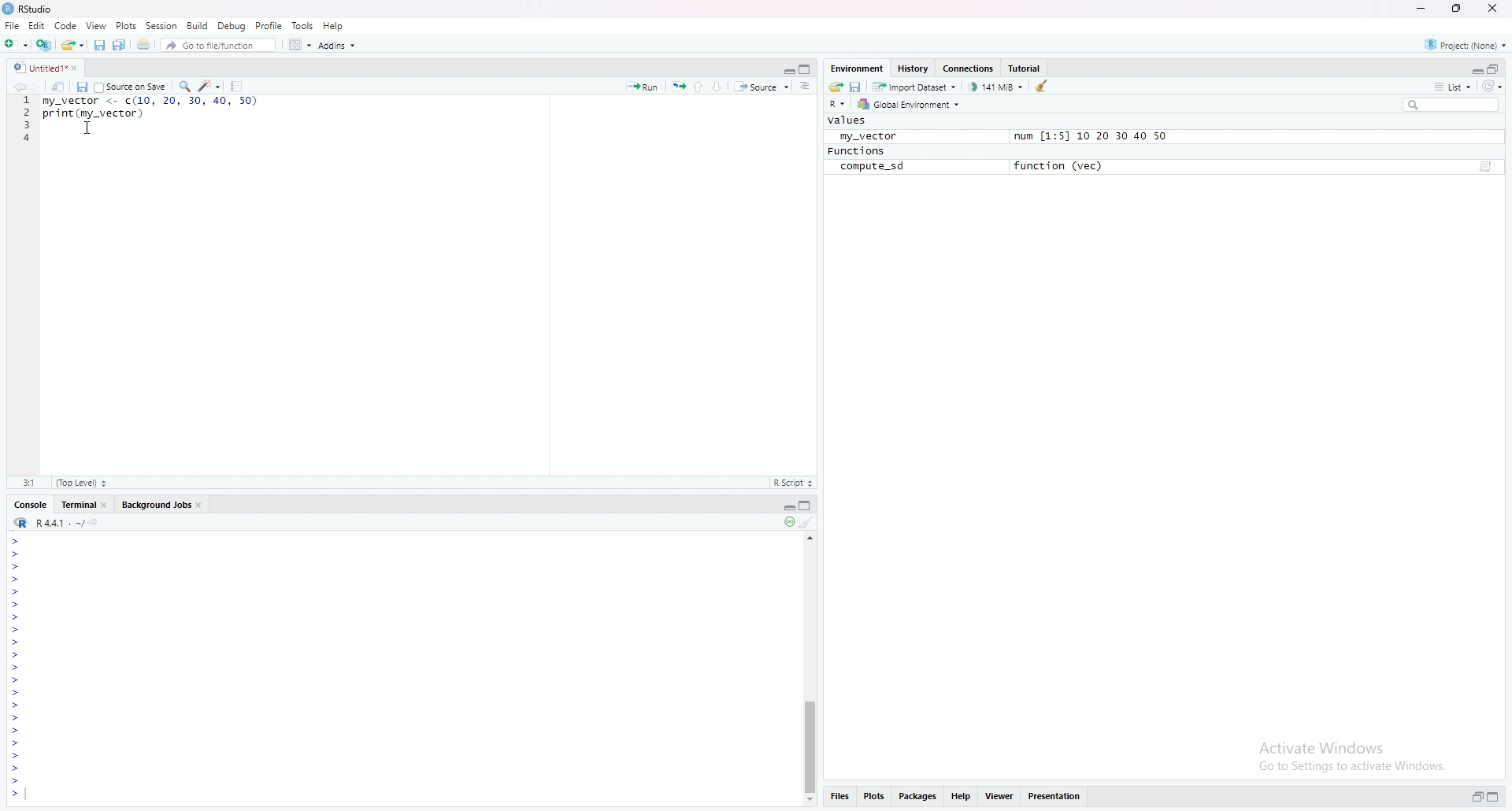 The image size is (1512, 811). I want to click on Go to next section/Chunk (Ctrl + pdDn), so click(720, 85).